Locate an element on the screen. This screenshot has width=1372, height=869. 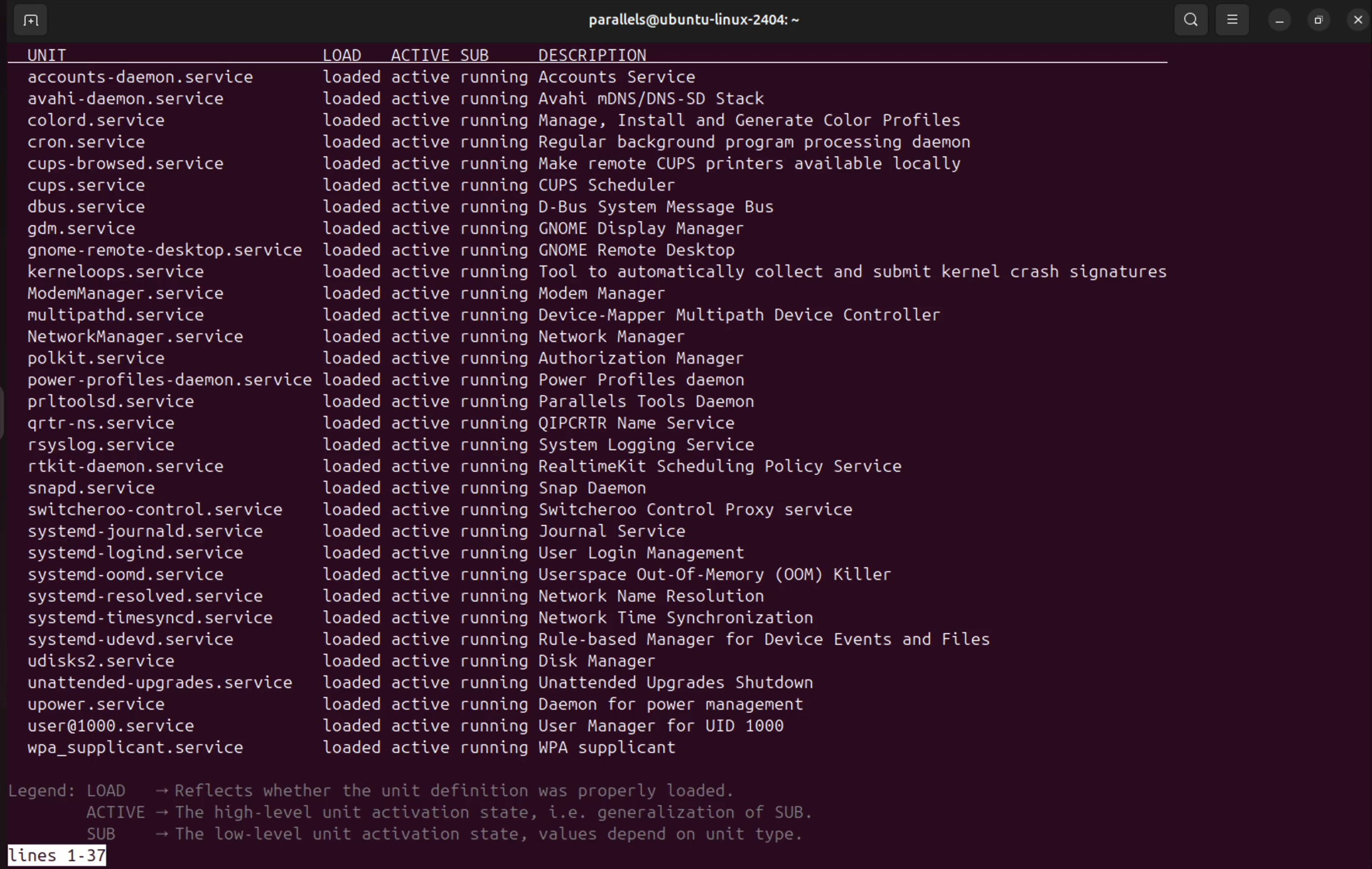
active running network line synchronisation is located at coordinates (619, 621).